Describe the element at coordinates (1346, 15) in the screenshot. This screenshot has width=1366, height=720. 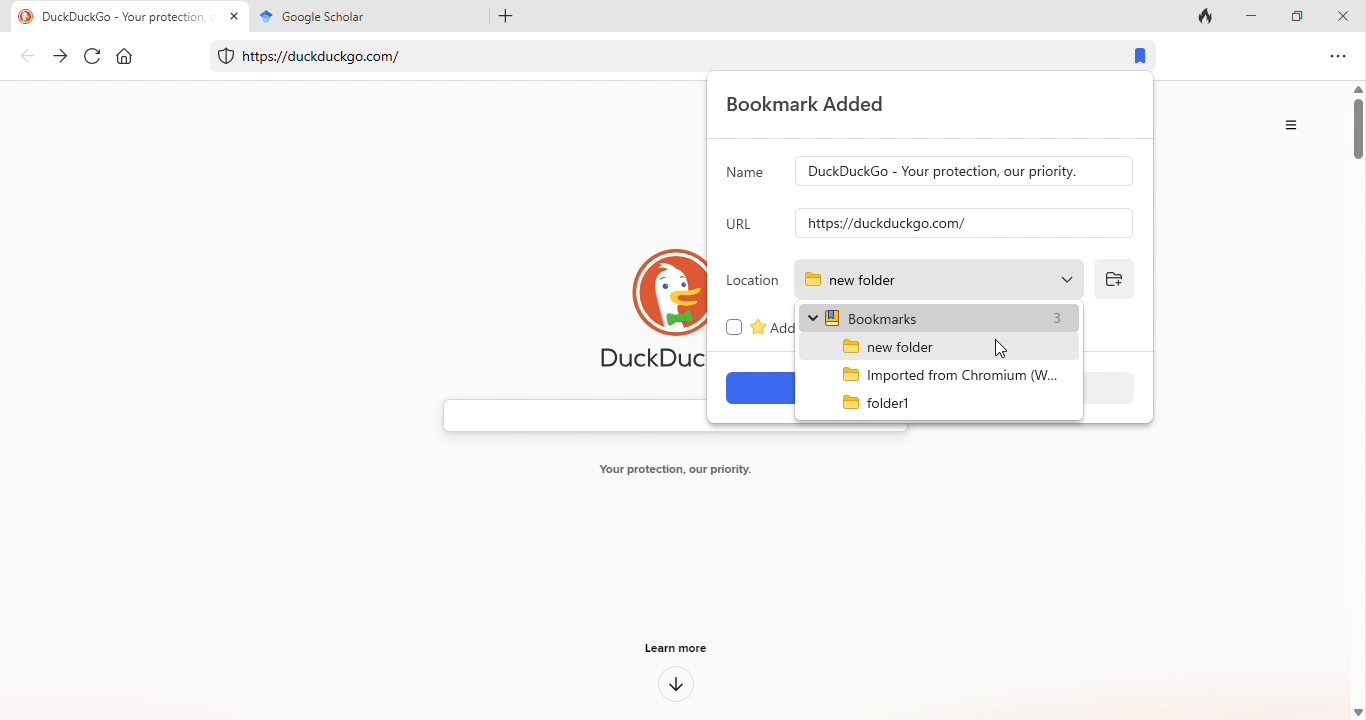
I see `close` at that location.